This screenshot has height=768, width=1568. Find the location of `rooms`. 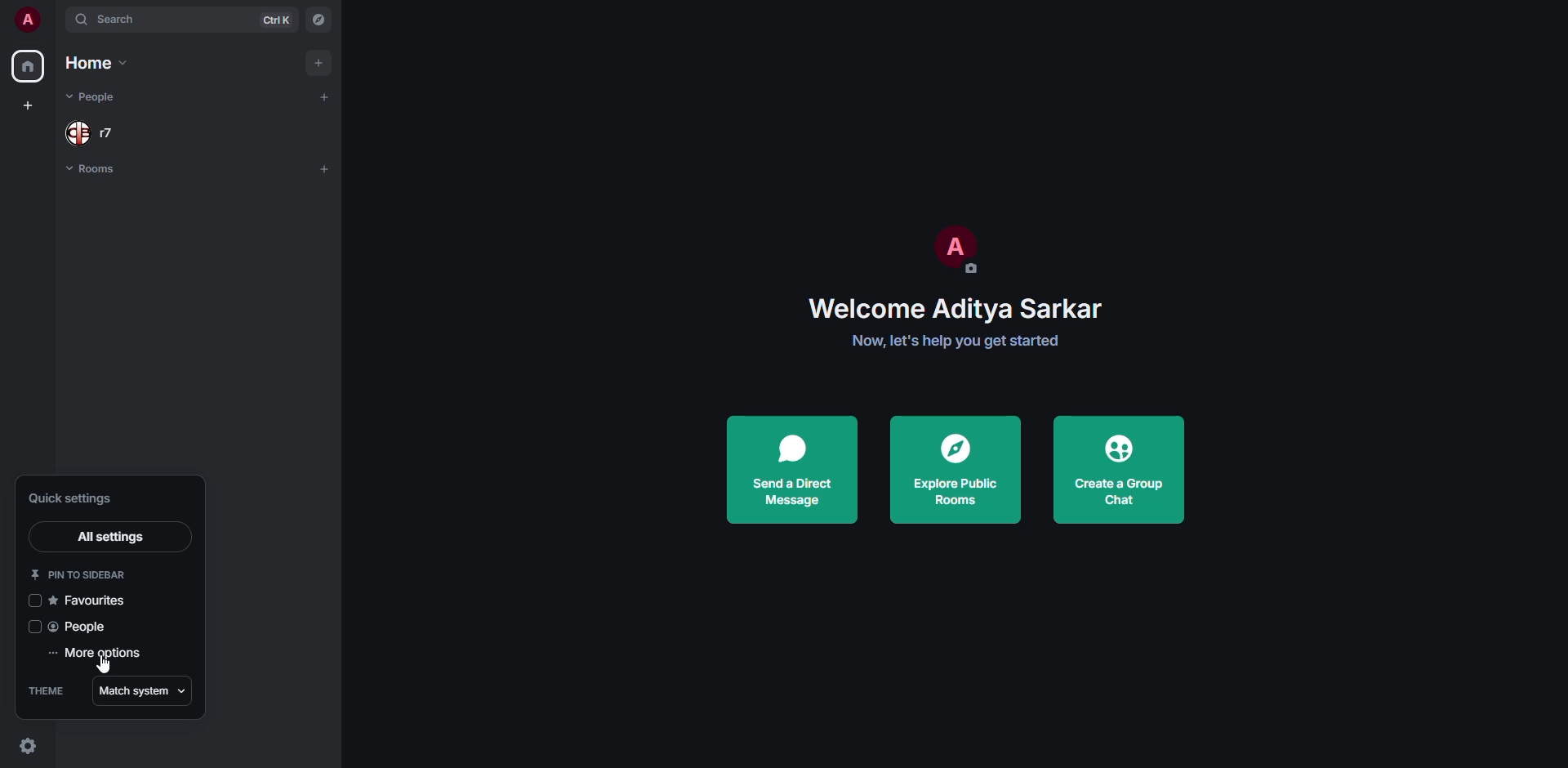

rooms is located at coordinates (96, 169).